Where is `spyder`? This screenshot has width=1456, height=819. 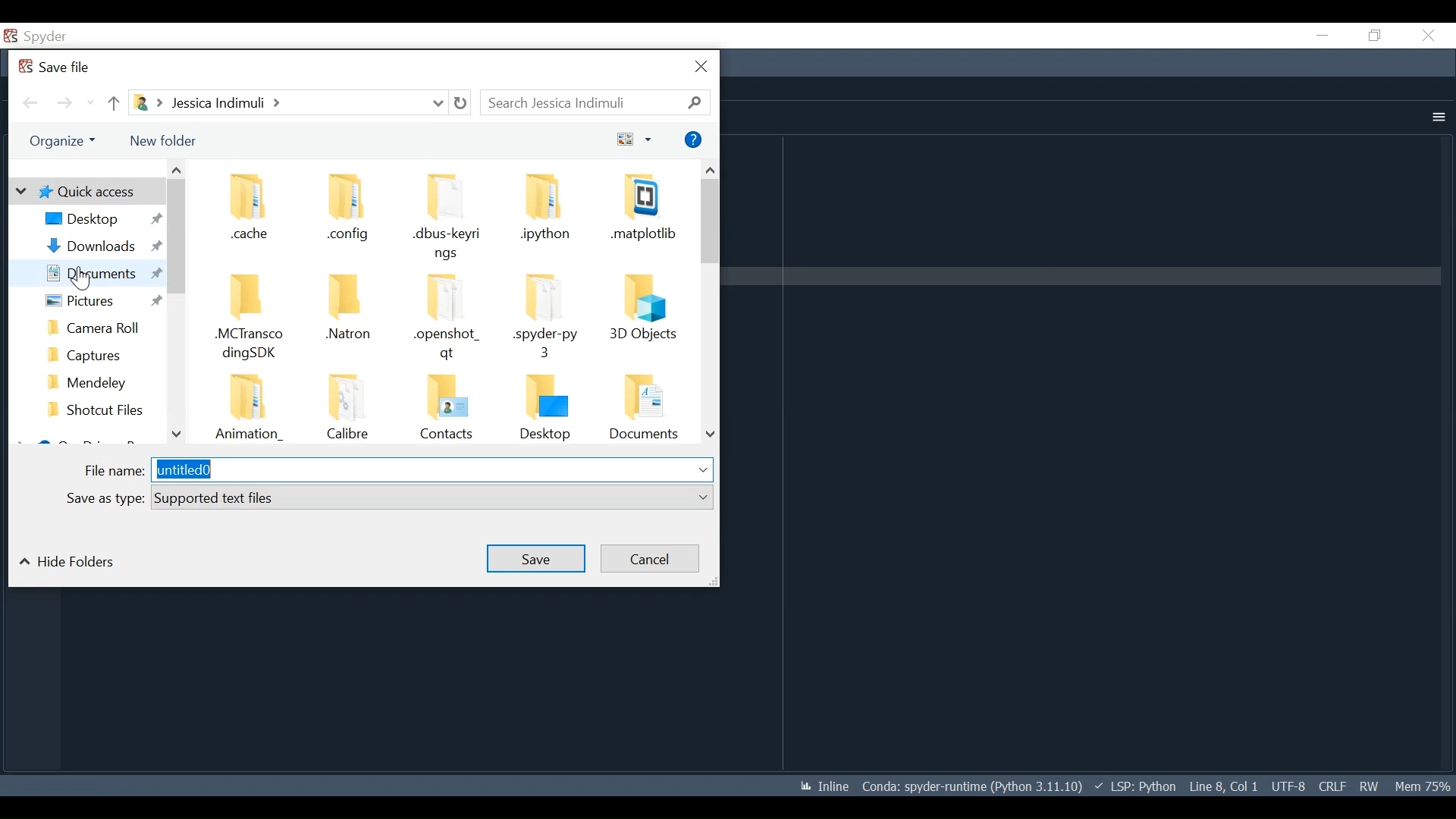
spyder is located at coordinates (57, 36).